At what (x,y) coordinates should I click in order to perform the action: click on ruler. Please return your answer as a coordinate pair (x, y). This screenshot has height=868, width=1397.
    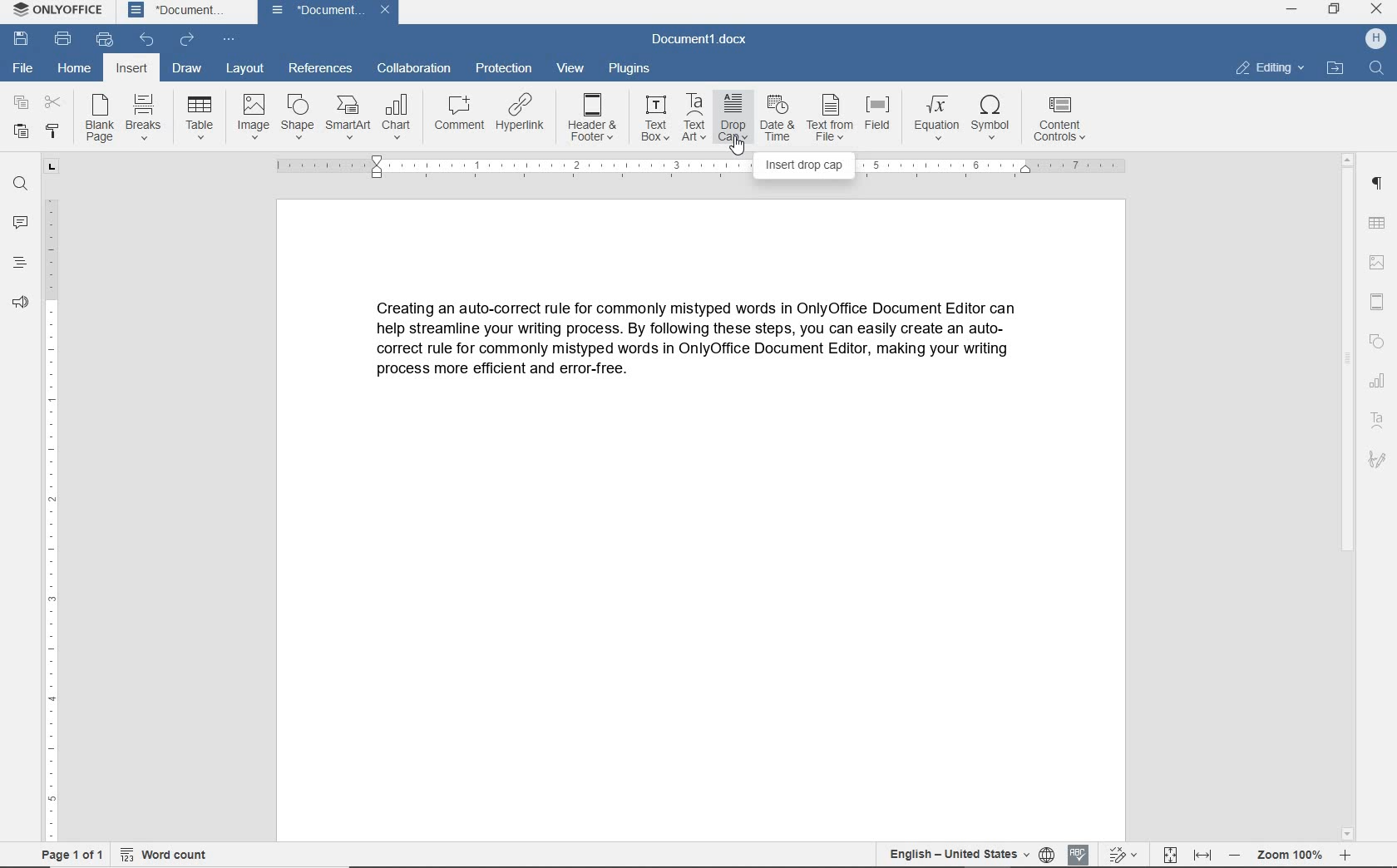
    Looking at the image, I should click on (49, 497).